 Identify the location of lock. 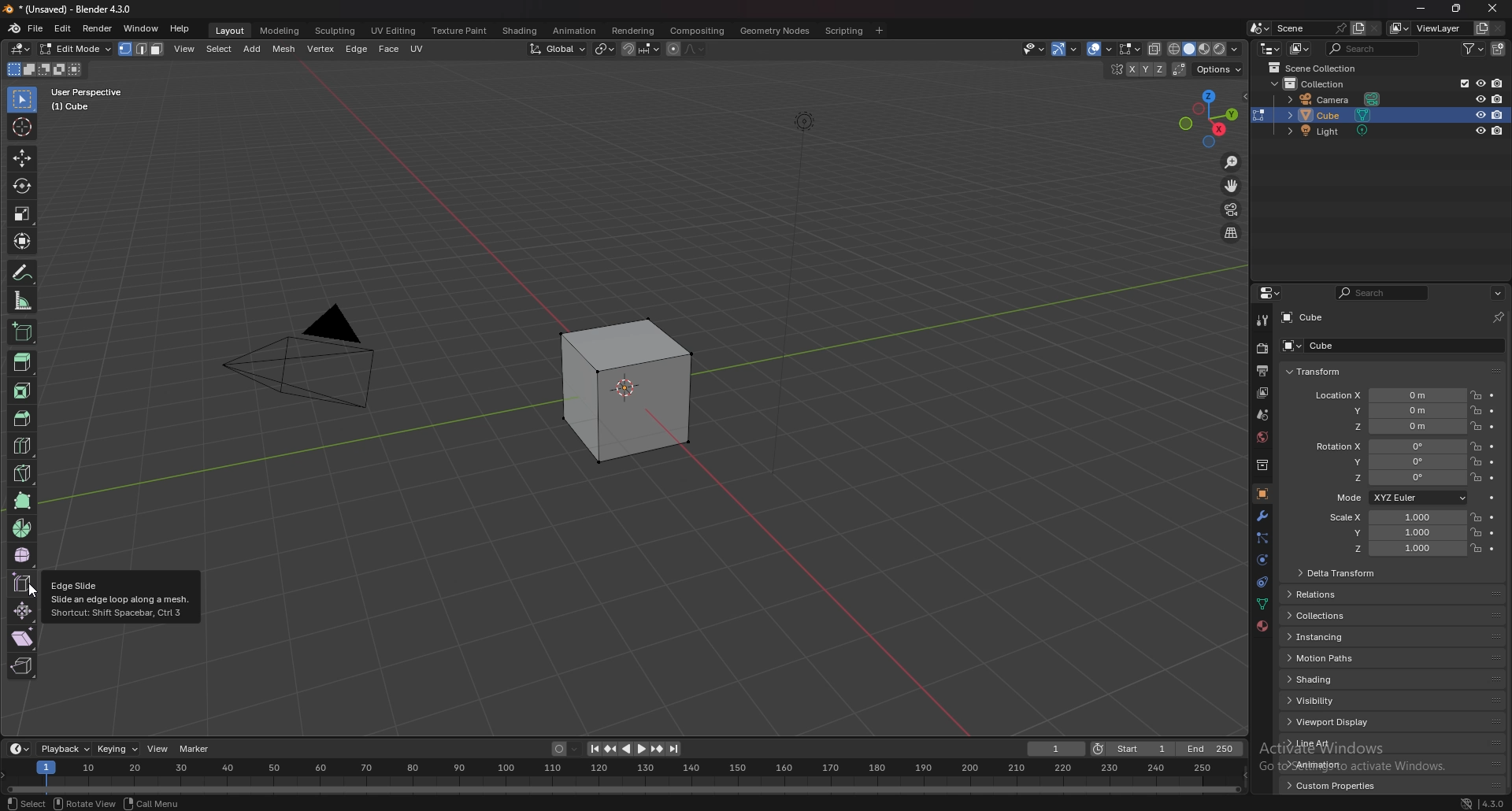
(1477, 411).